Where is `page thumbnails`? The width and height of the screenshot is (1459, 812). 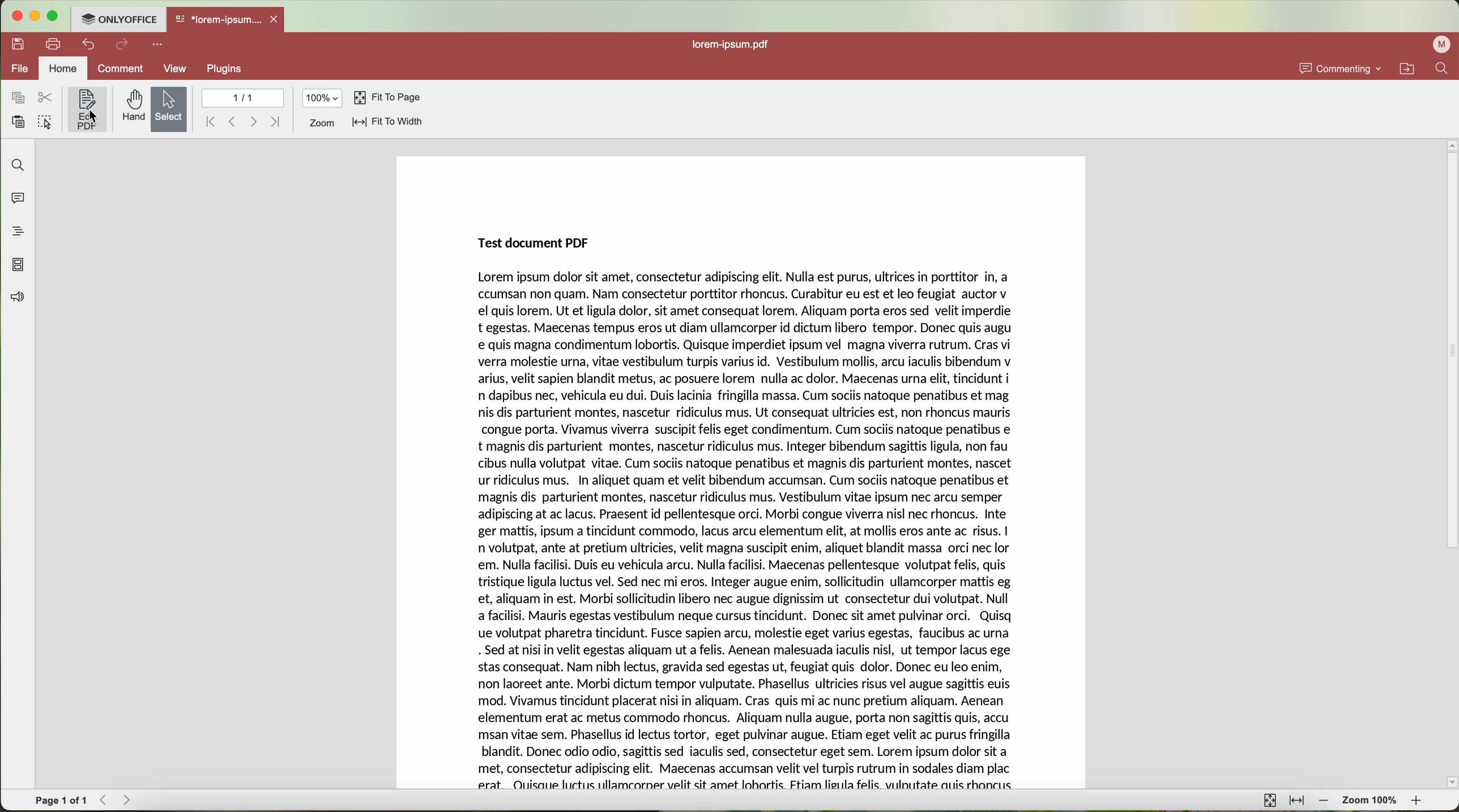
page thumbnails is located at coordinates (17, 264).